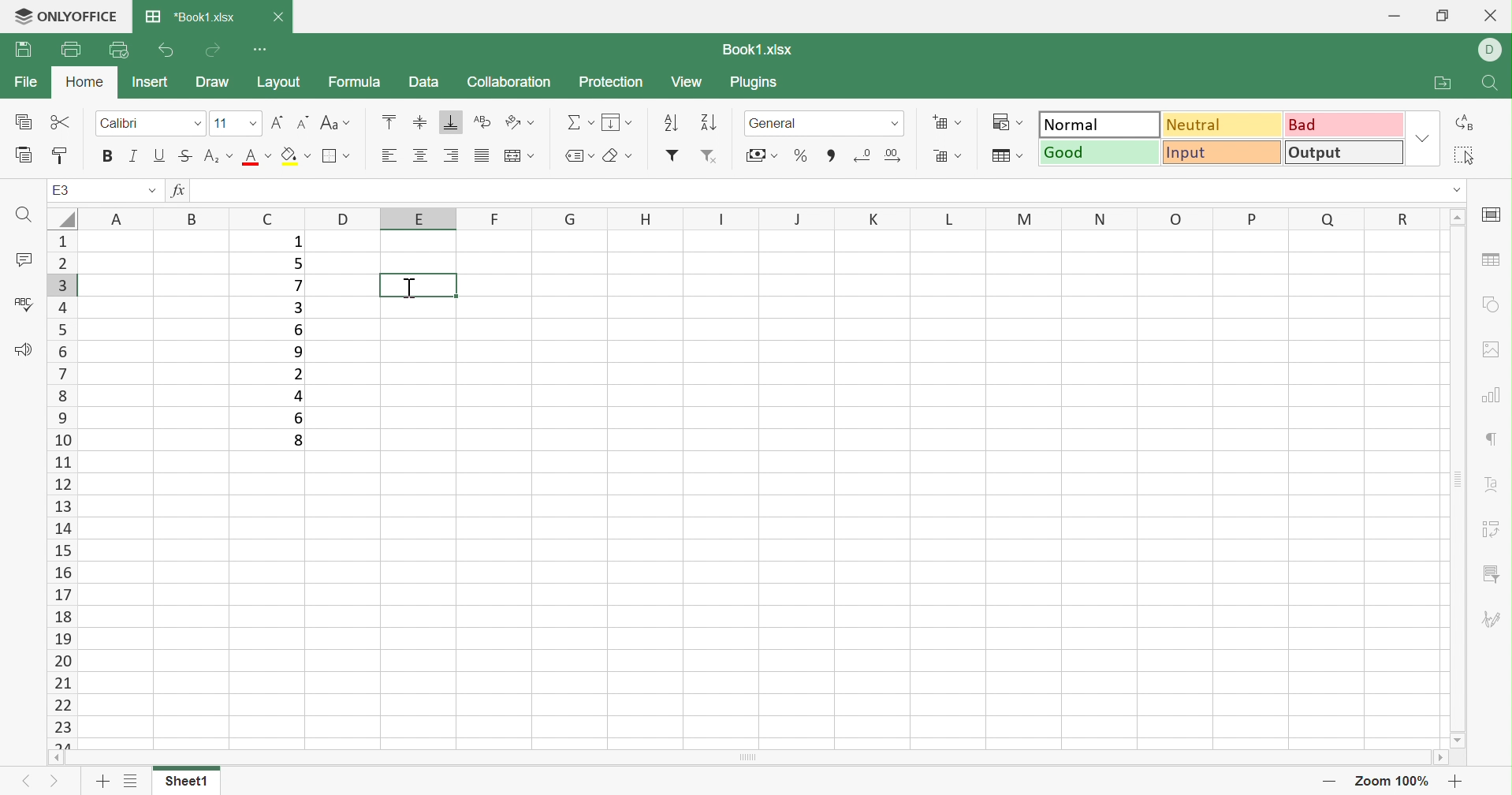 The width and height of the screenshot is (1512, 795). Describe the element at coordinates (1492, 84) in the screenshot. I see `Find` at that location.